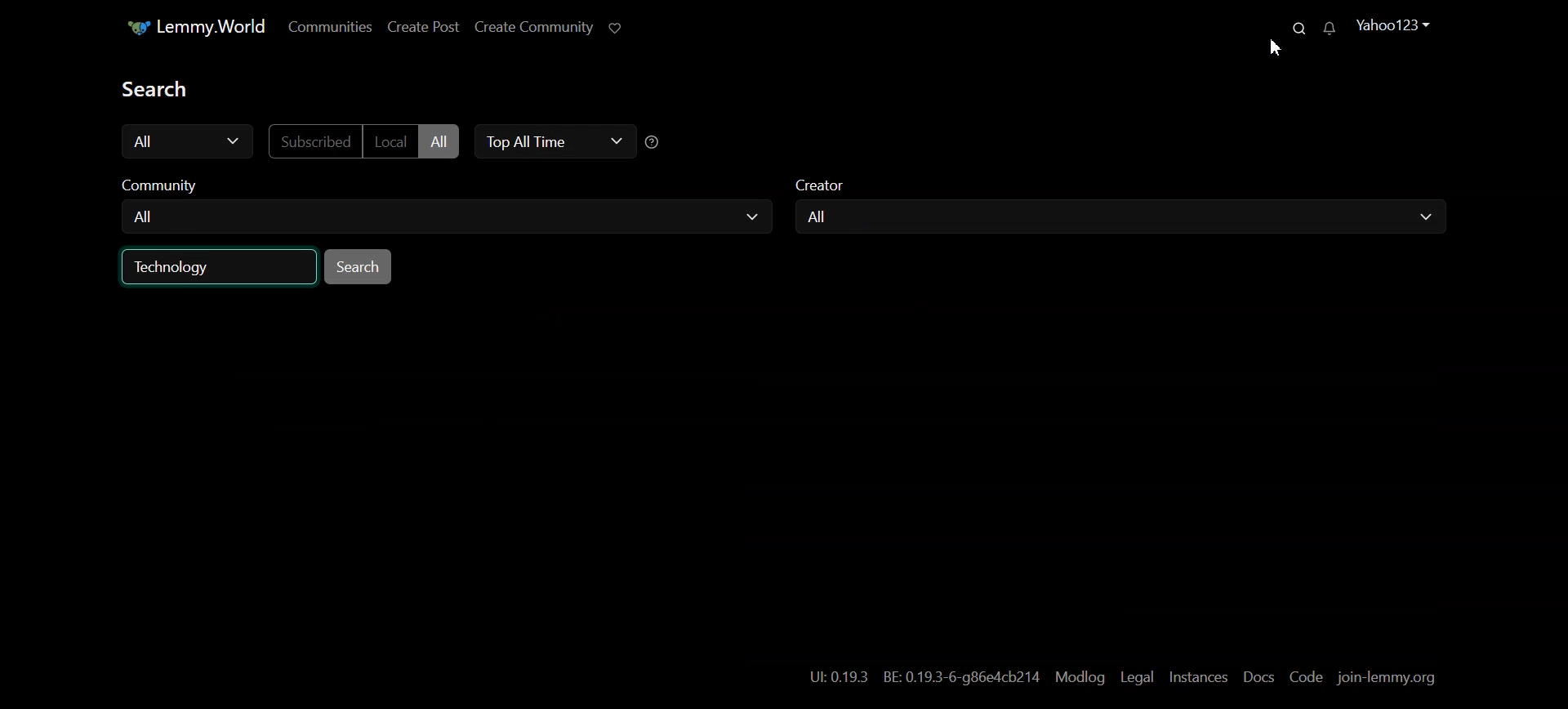 The image size is (1568, 709). Describe the element at coordinates (153, 87) in the screenshot. I see `Text` at that location.